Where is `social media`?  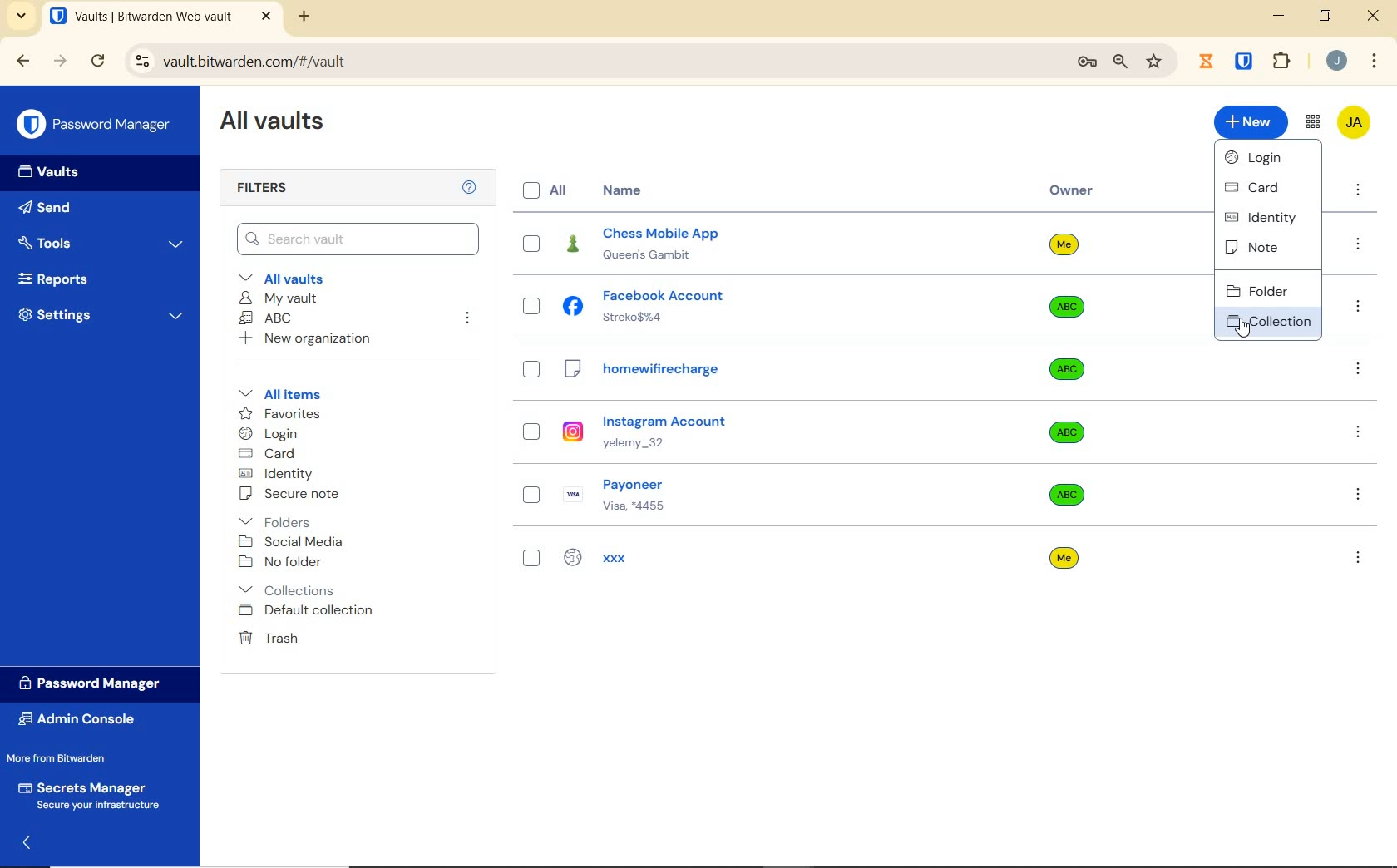
social media is located at coordinates (296, 542).